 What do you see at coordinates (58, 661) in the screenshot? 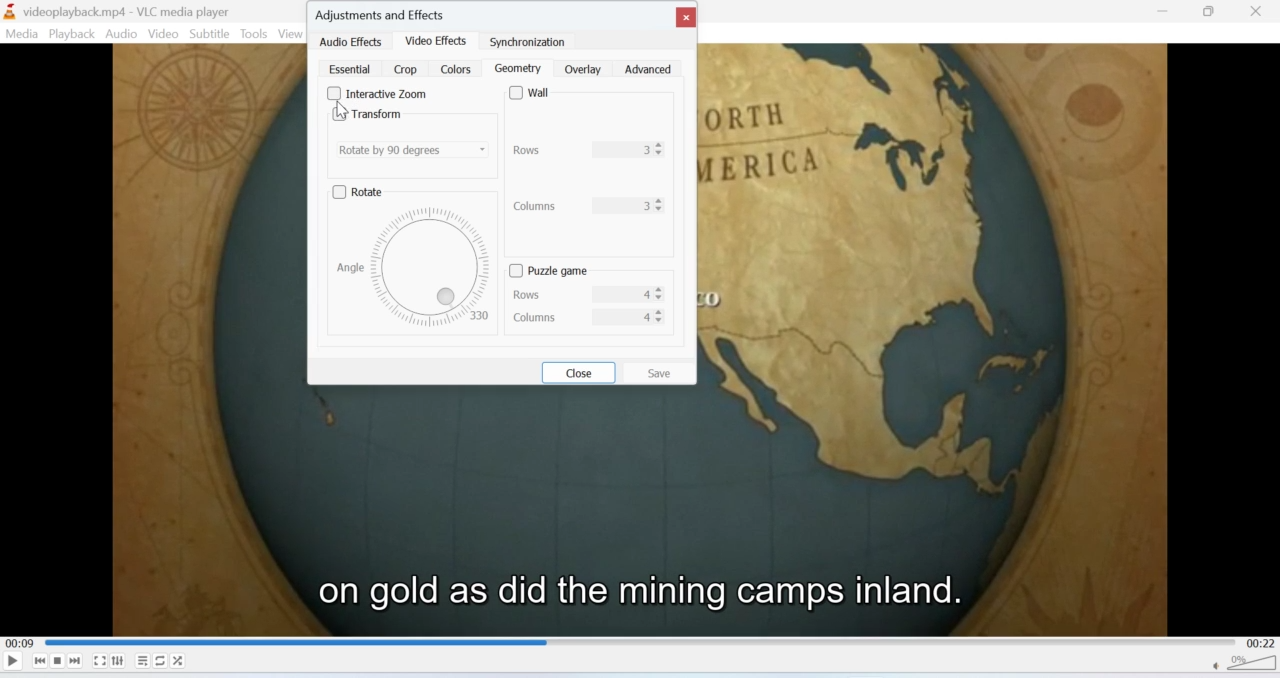
I see `Stop` at bounding box center [58, 661].